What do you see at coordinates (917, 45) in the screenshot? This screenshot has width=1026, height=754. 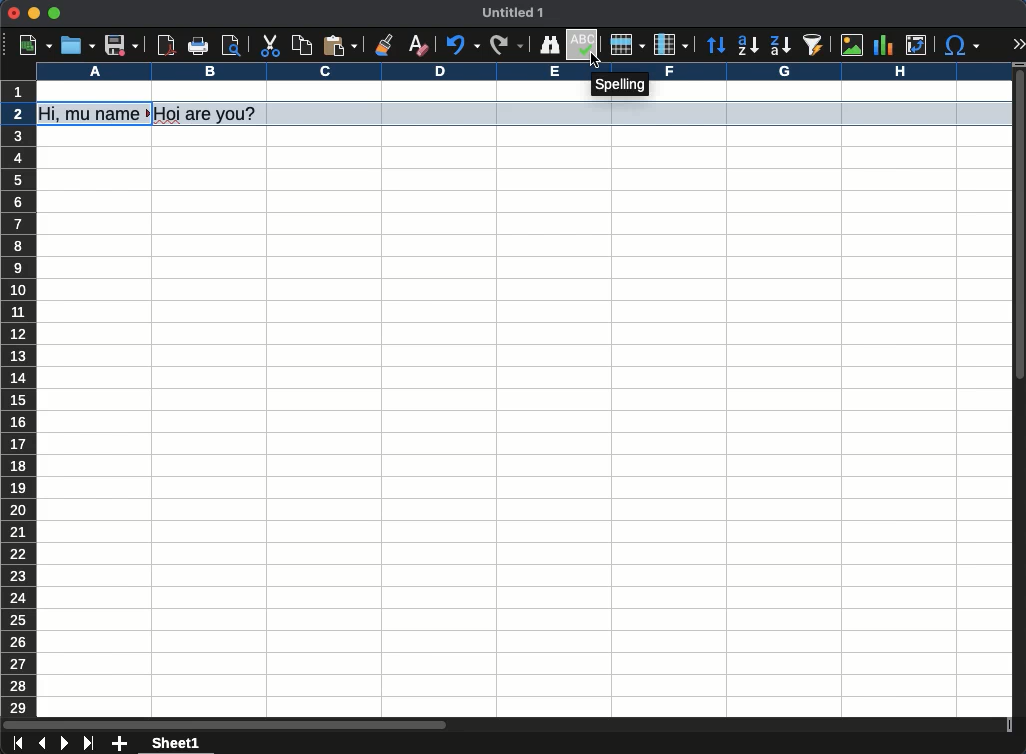 I see `pivot table` at bounding box center [917, 45].